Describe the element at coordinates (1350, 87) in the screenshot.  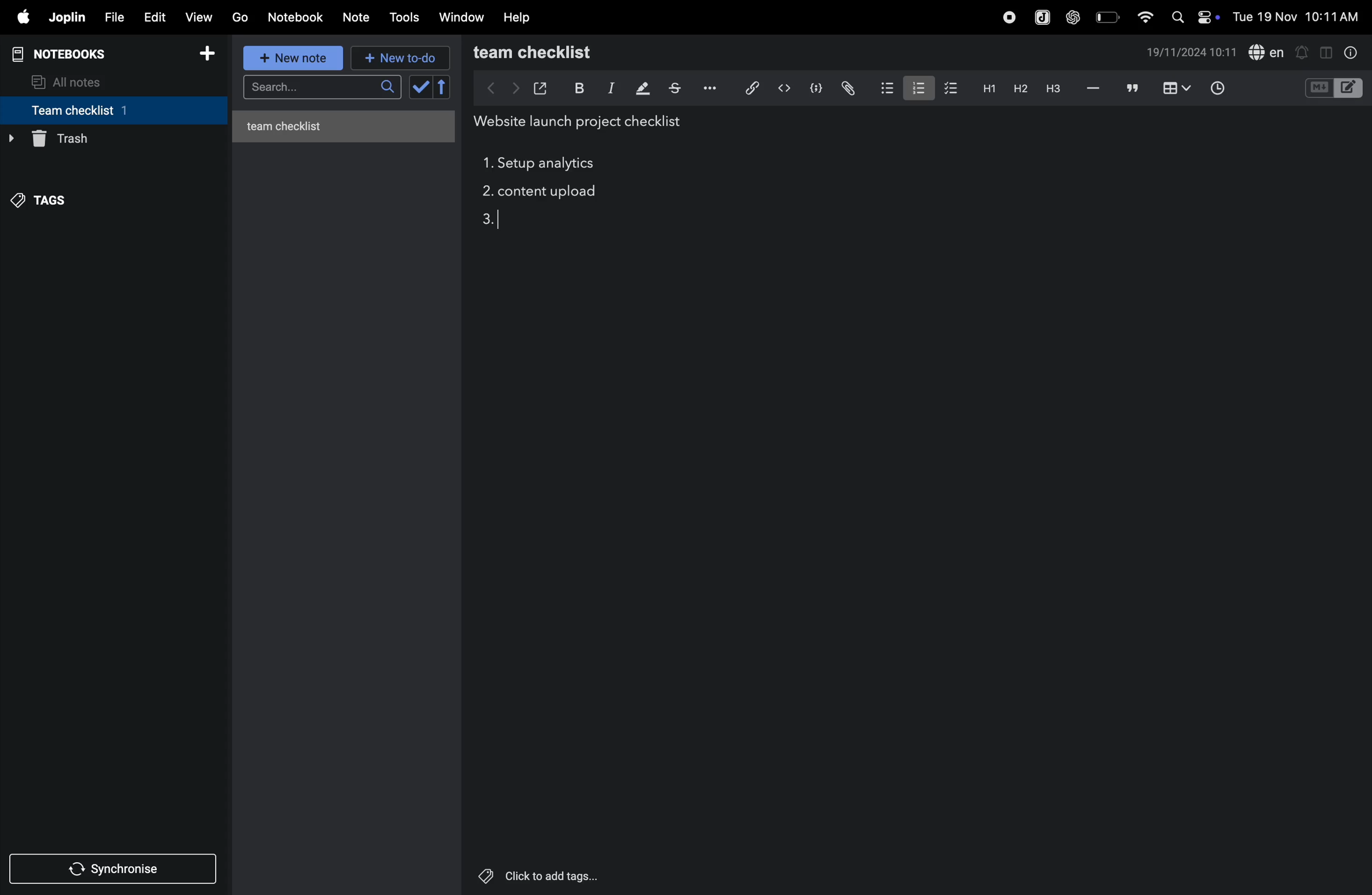
I see `editor layout` at that location.